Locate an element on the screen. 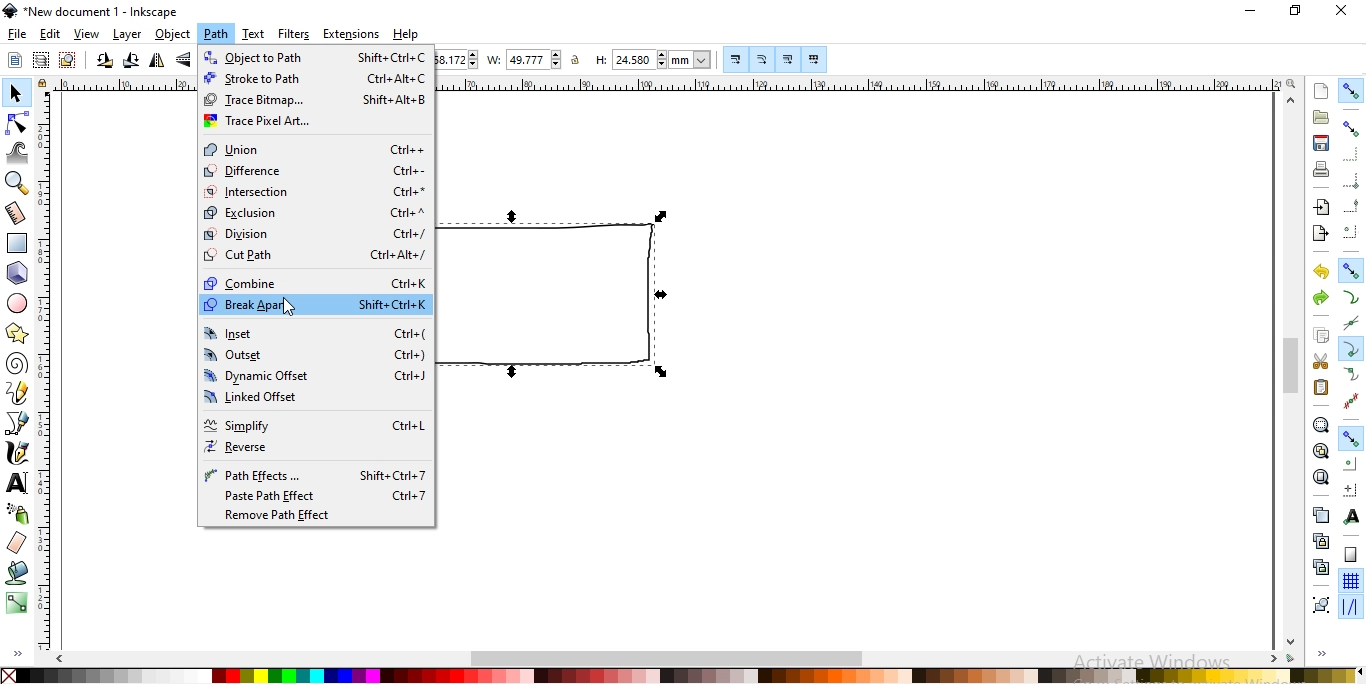 Image resolution: width=1366 pixels, height=684 pixels.  is located at coordinates (789, 59).